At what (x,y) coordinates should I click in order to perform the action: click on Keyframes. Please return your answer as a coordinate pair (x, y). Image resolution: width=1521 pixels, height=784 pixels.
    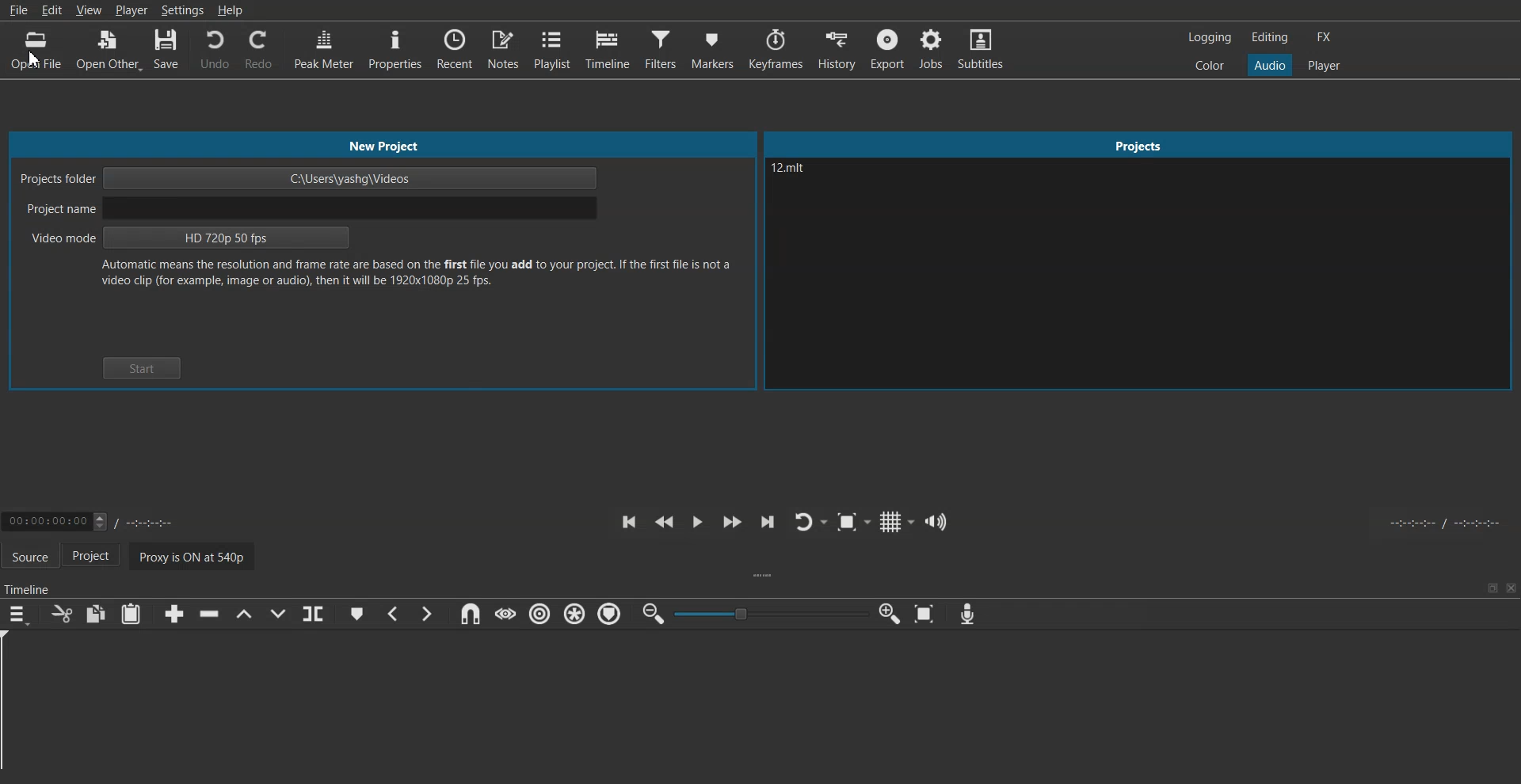
    Looking at the image, I should click on (776, 48).